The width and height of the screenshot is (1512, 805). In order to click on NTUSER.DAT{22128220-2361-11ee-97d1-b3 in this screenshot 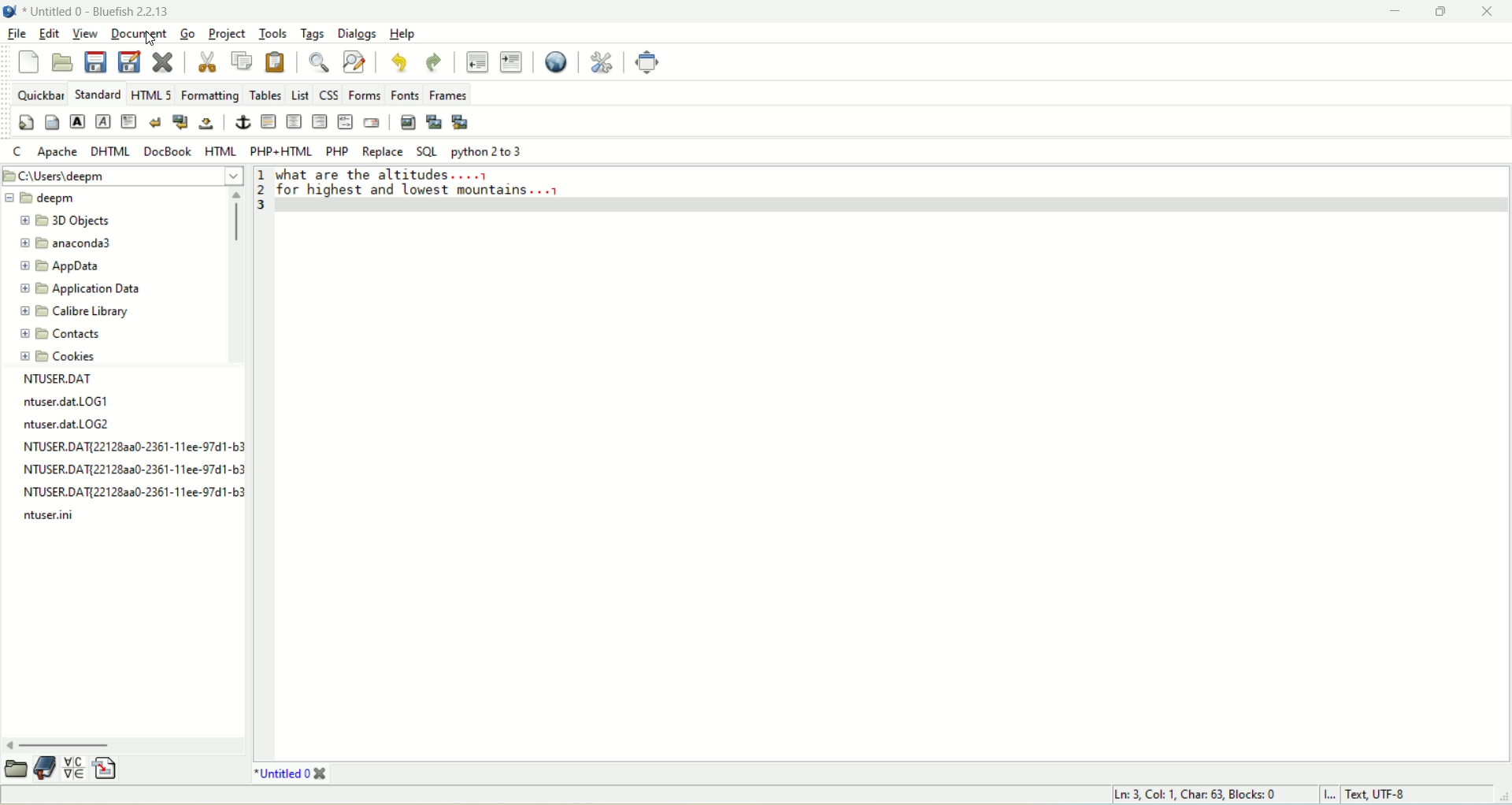, I will do `click(135, 470)`.